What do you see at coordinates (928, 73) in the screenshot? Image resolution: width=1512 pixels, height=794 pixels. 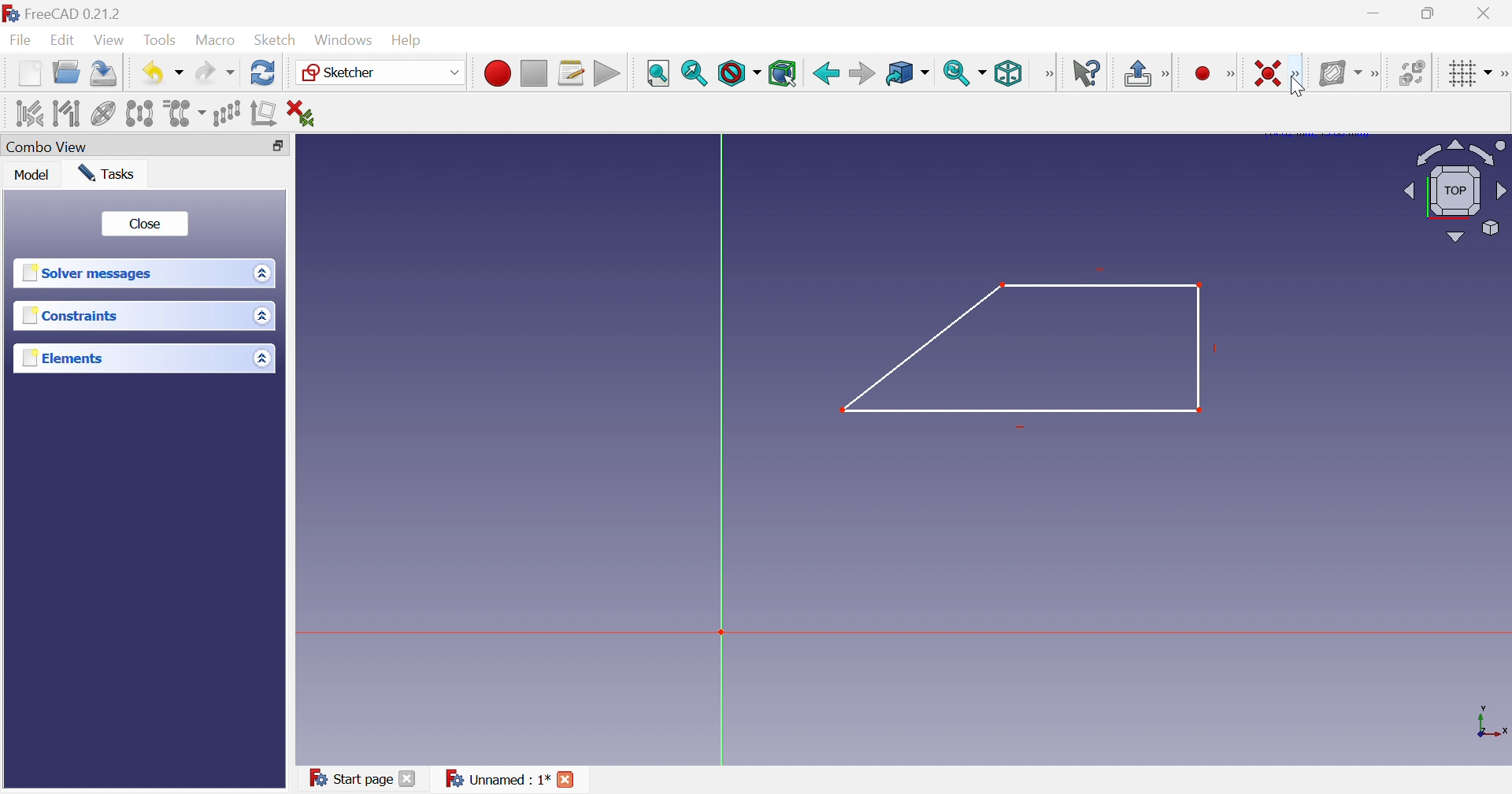 I see `Drop Down` at bounding box center [928, 73].